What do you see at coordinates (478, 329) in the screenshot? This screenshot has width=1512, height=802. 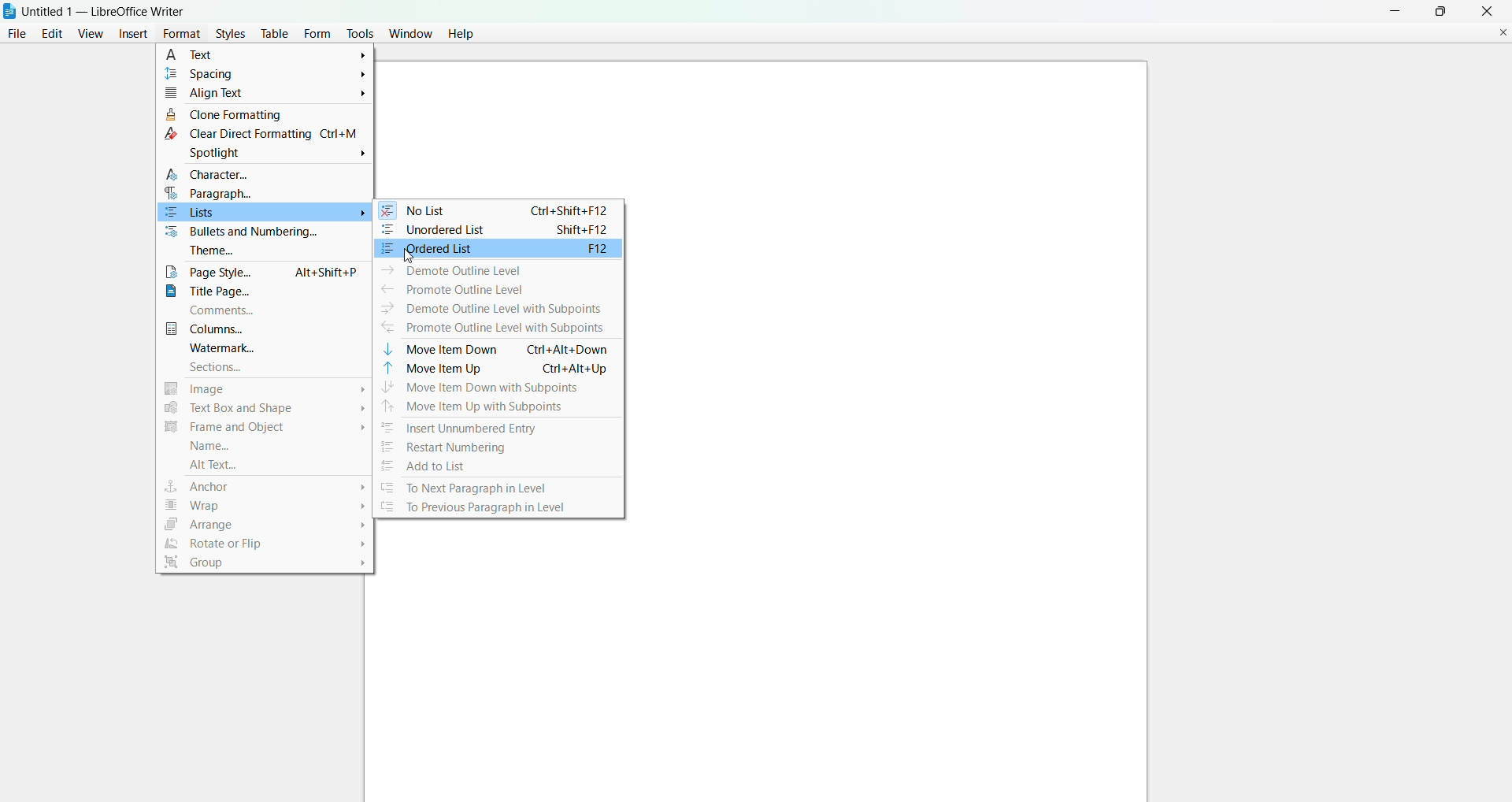 I see `promote outline level with subpoints` at bounding box center [478, 329].